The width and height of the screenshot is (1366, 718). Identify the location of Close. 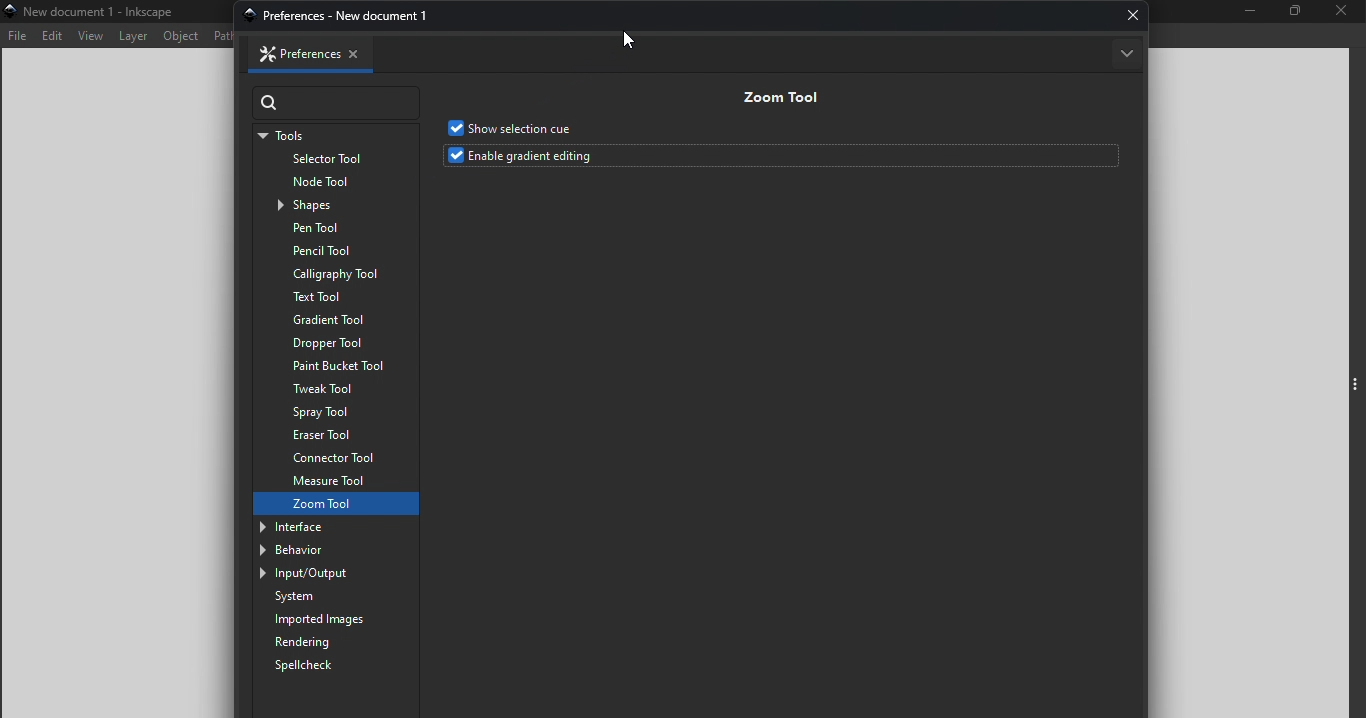
(1346, 12).